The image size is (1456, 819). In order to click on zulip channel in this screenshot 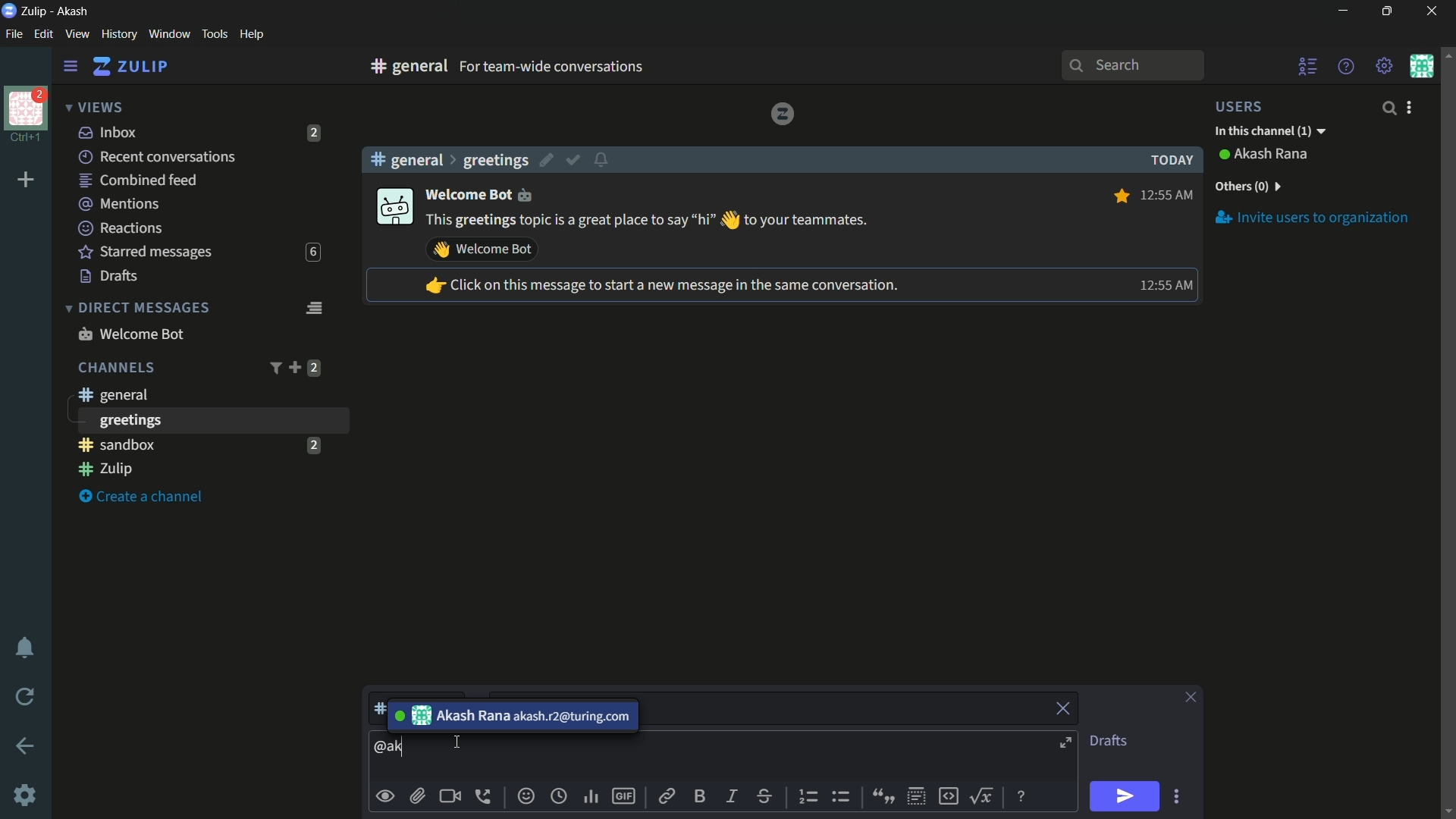, I will do `click(205, 470)`.